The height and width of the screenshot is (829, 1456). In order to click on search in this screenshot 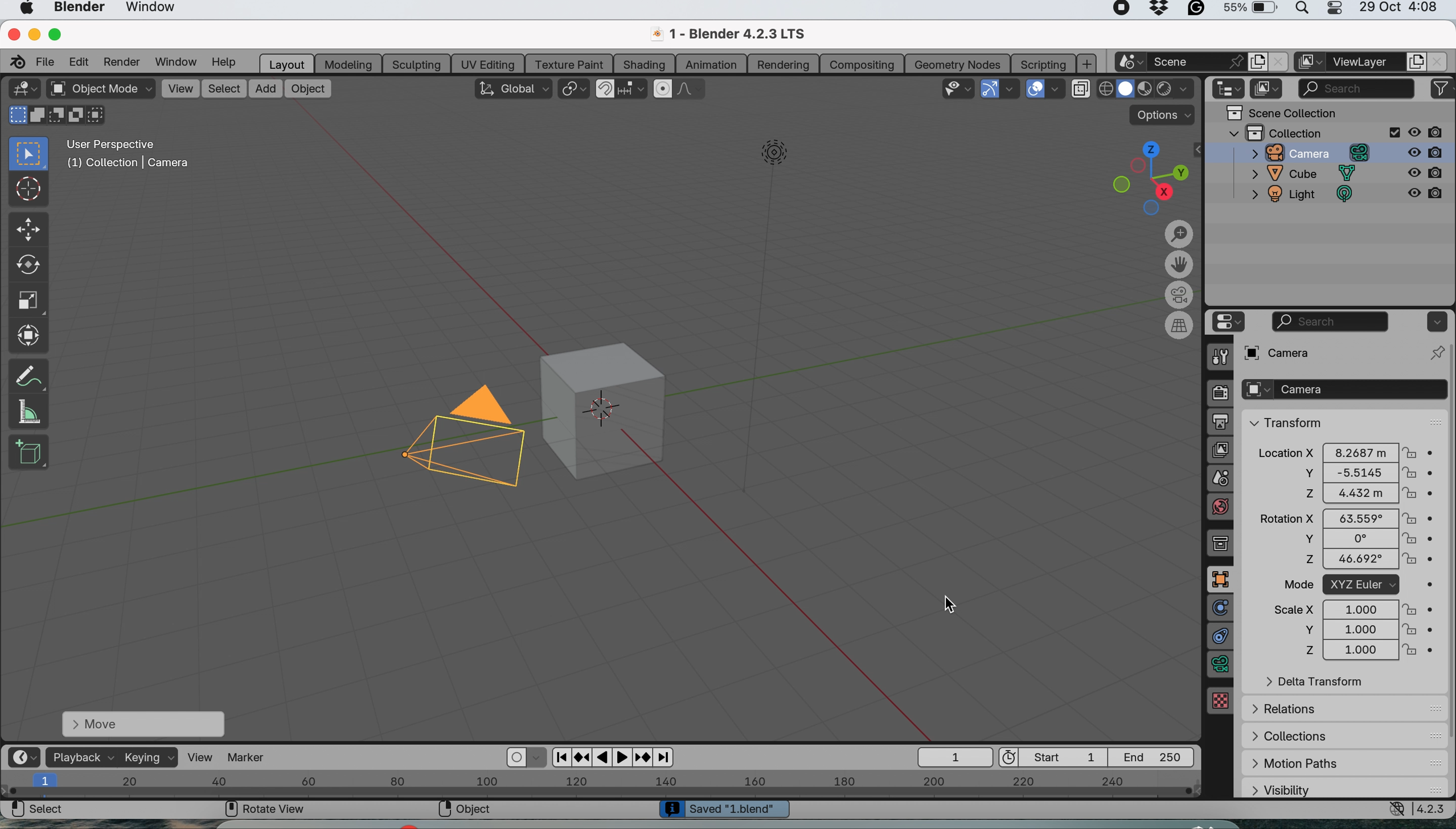, I will do `click(1356, 87)`.